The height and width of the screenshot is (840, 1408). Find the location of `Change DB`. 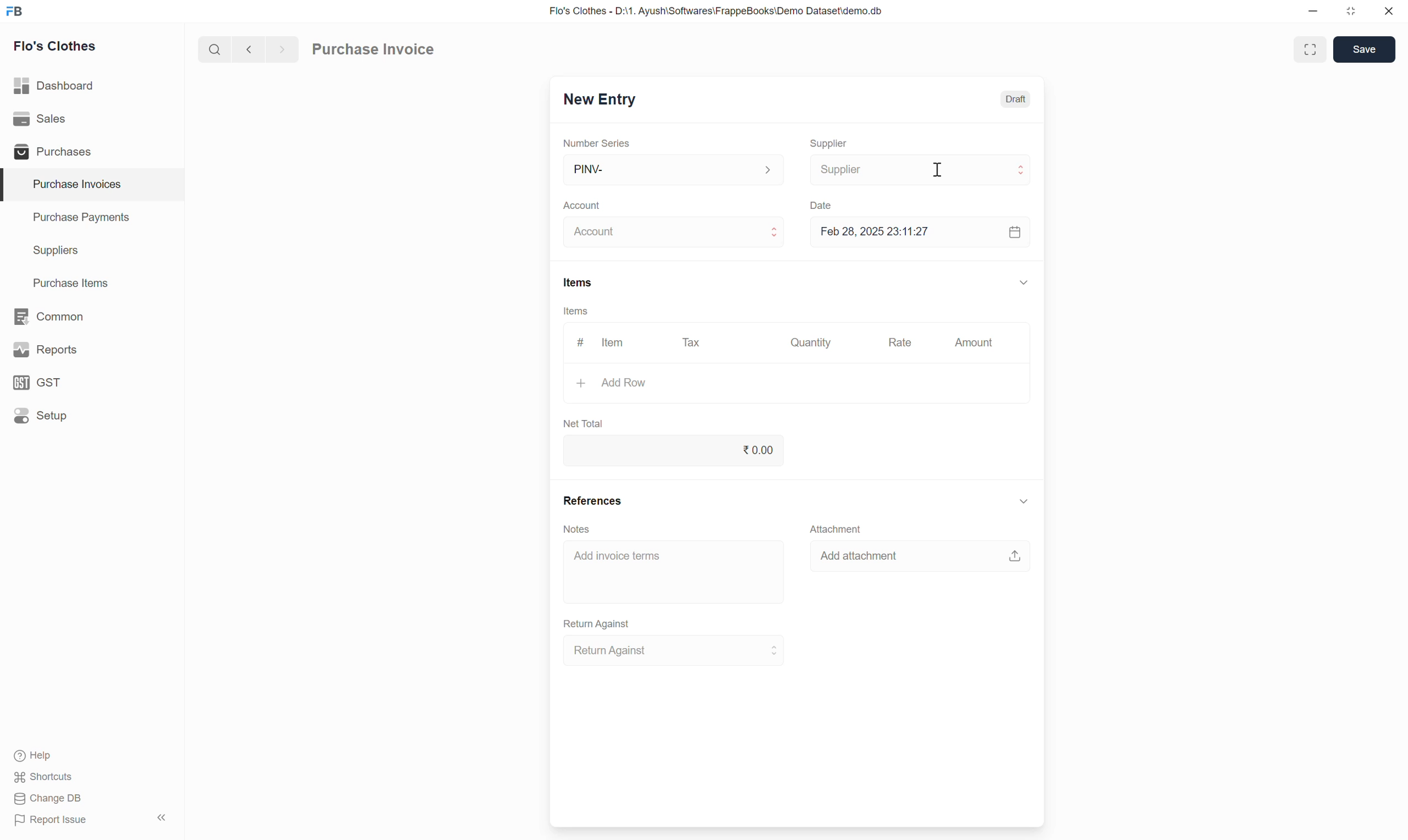

Change DB is located at coordinates (49, 799).